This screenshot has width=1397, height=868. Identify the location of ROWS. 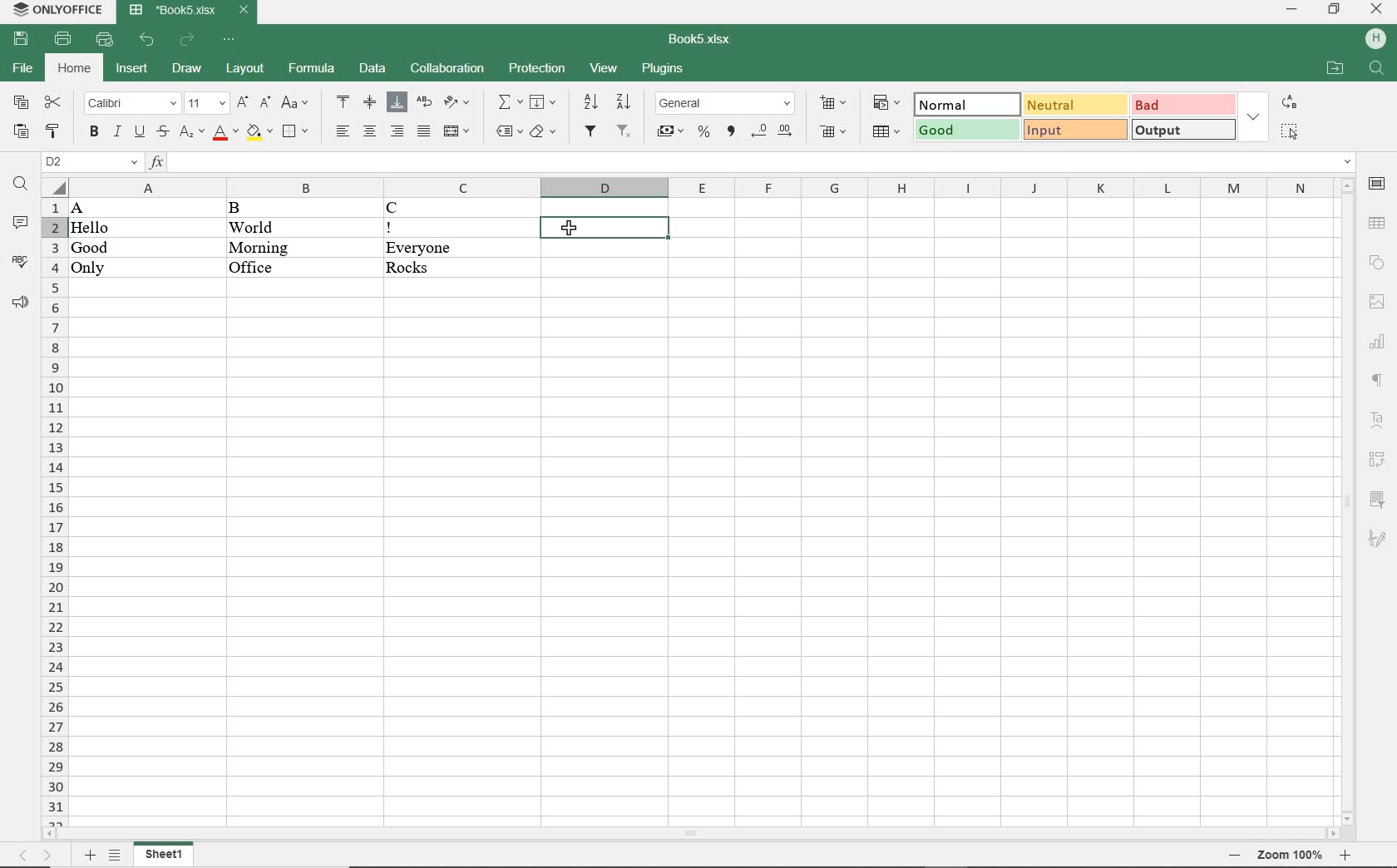
(53, 510).